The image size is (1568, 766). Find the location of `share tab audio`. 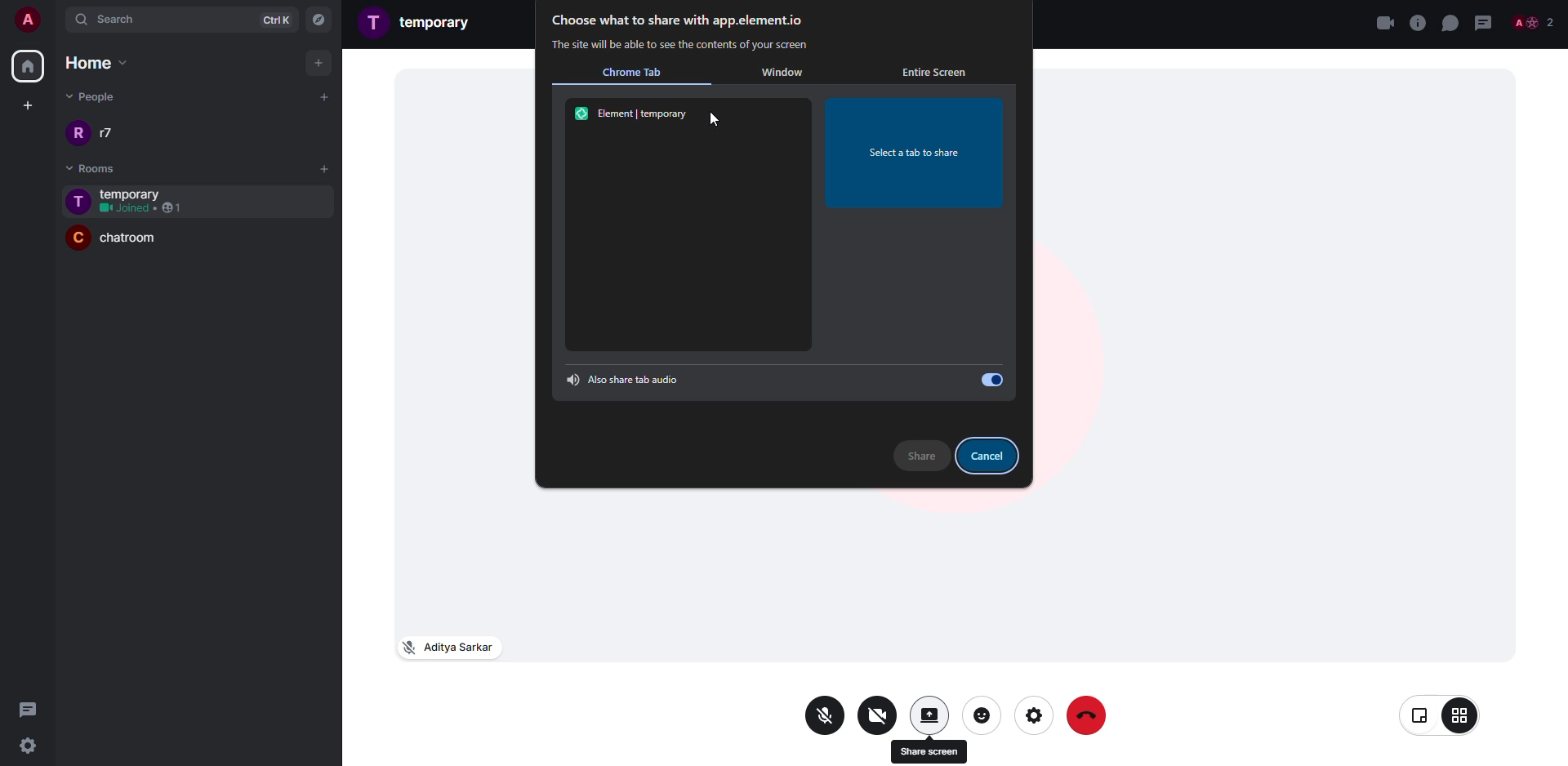

share tab audio is located at coordinates (626, 379).